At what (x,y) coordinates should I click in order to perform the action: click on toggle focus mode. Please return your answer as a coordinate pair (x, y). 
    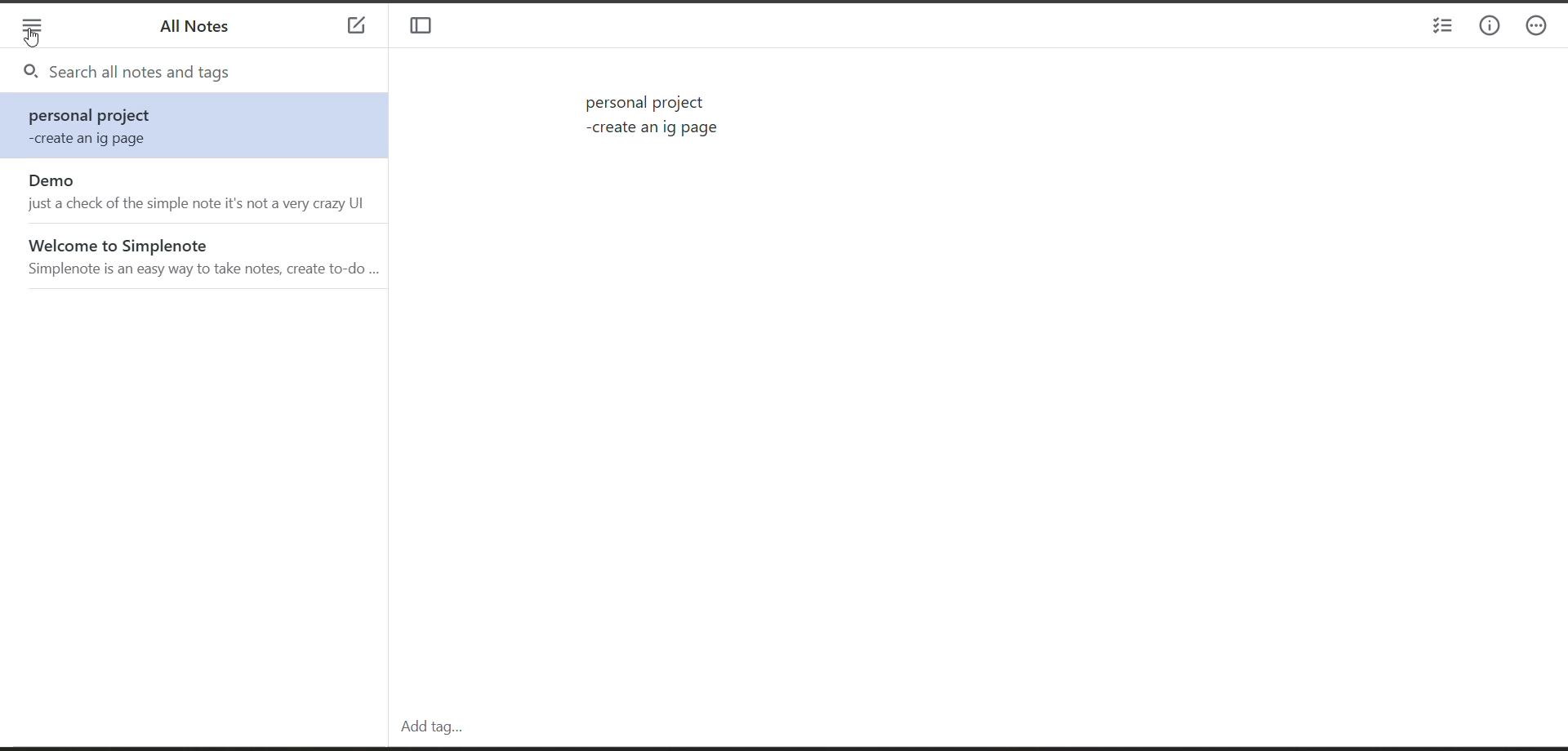
    Looking at the image, I should click on (426, 28).